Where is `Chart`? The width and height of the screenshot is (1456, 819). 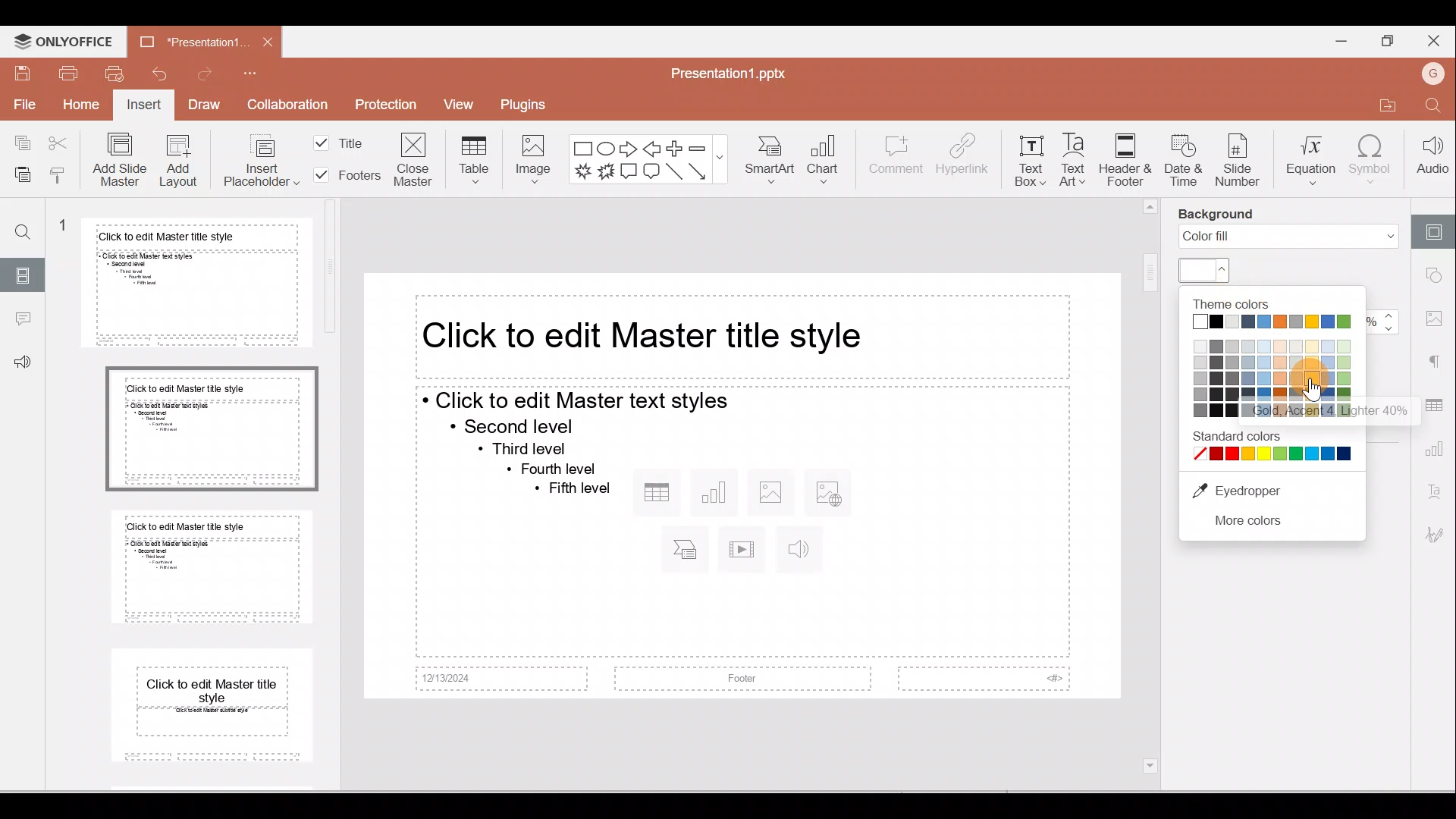
Chart is located at coordinates (829, 155).